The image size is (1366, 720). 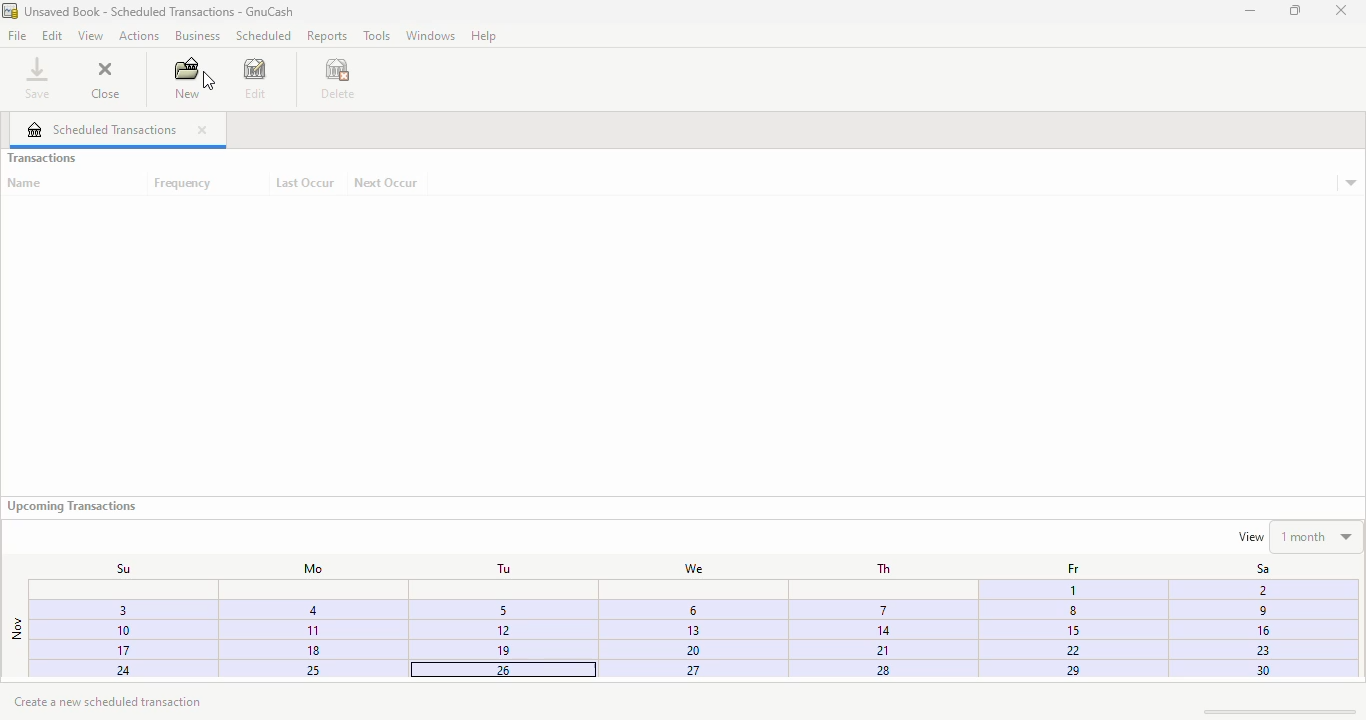 What do you see at coordinates (184, 184) in the screenshot?
I see `frequency` at bounding box center [184, 184].